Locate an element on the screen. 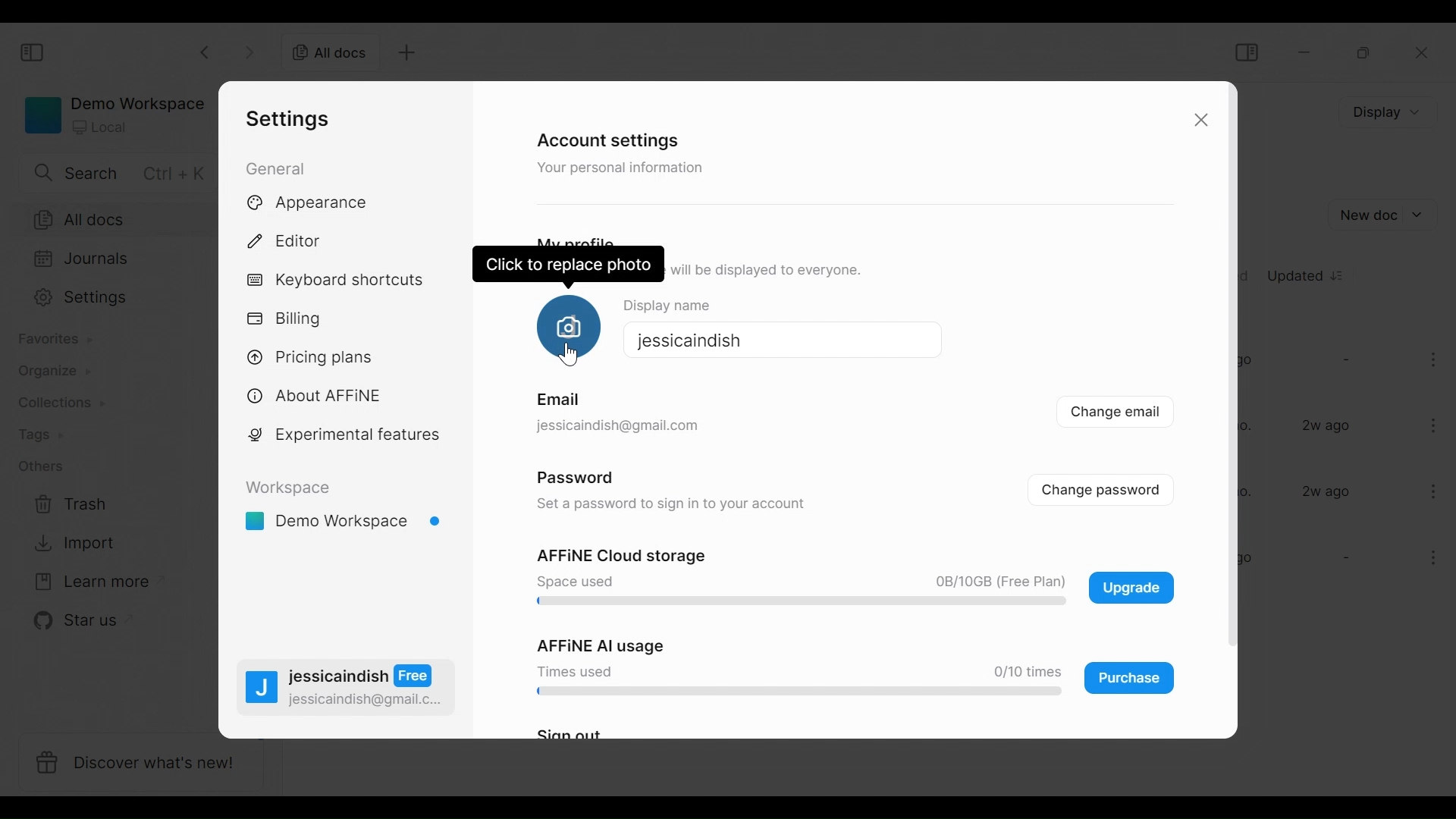  2w ago is located at coordinates (1327, 491).